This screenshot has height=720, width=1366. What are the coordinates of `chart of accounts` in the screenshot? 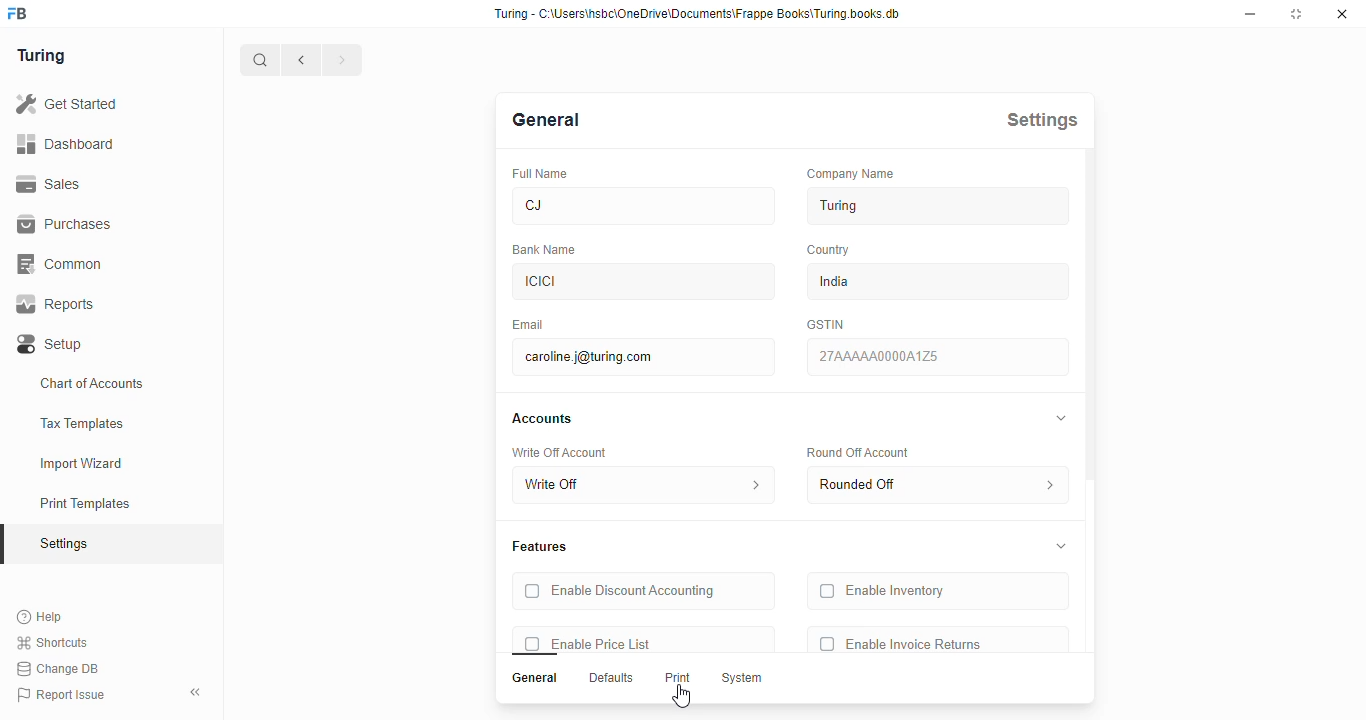 It's located at (92, 383).